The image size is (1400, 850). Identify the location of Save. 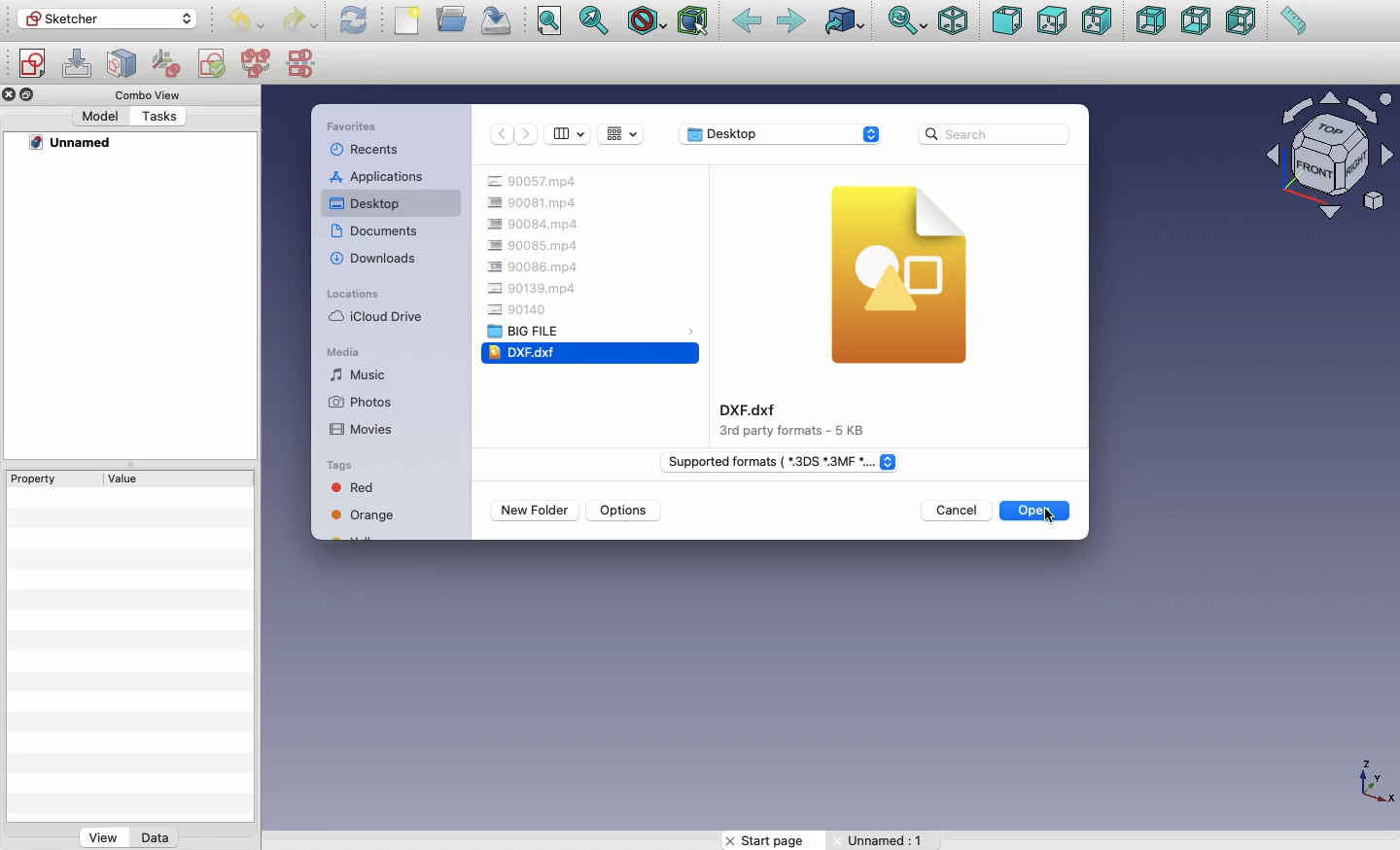
(496, 19).